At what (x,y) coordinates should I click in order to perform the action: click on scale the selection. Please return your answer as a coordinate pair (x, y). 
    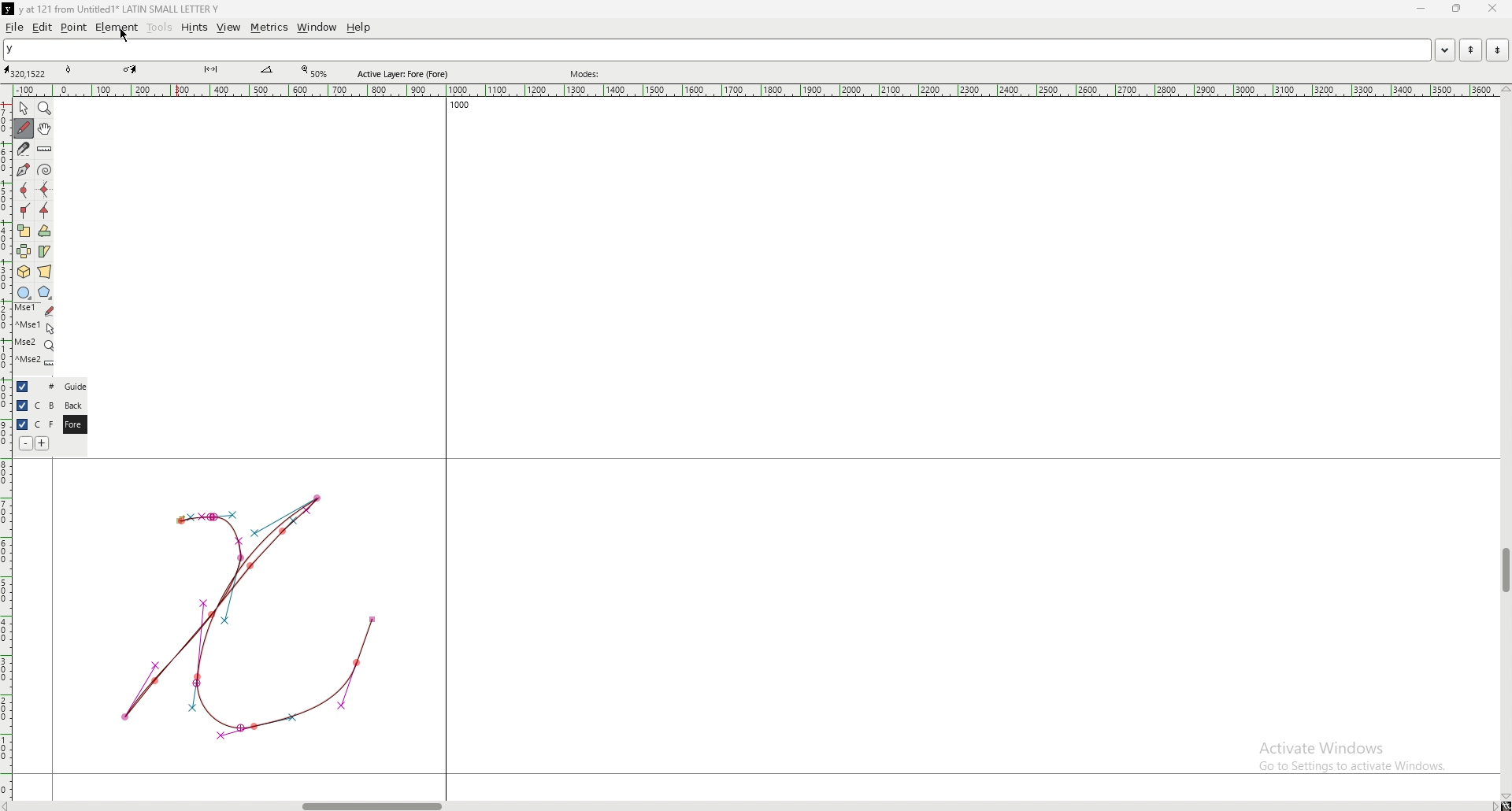
    Looking at the image, I should click on (24, 231).